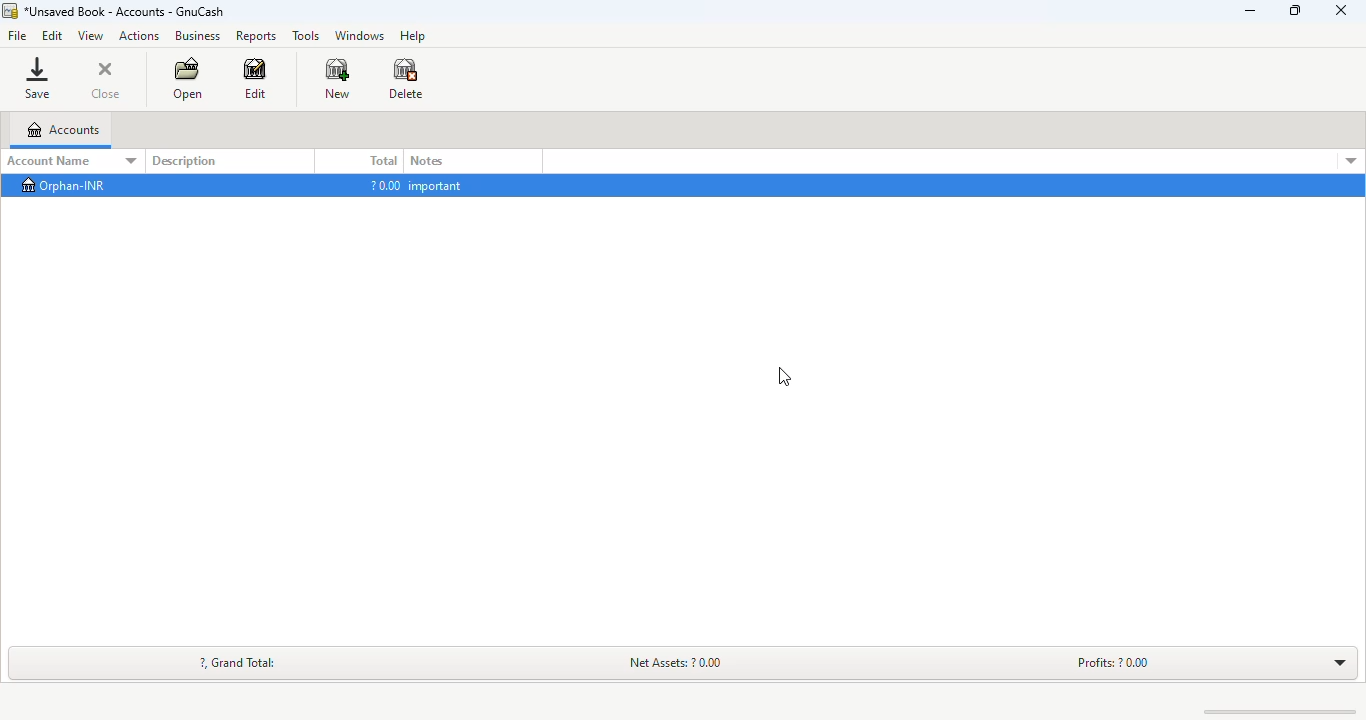 This screenshot has width=1366, height=720. Describe the element at coordinates (384, 160) in the screenshot. I see `total` at that location.